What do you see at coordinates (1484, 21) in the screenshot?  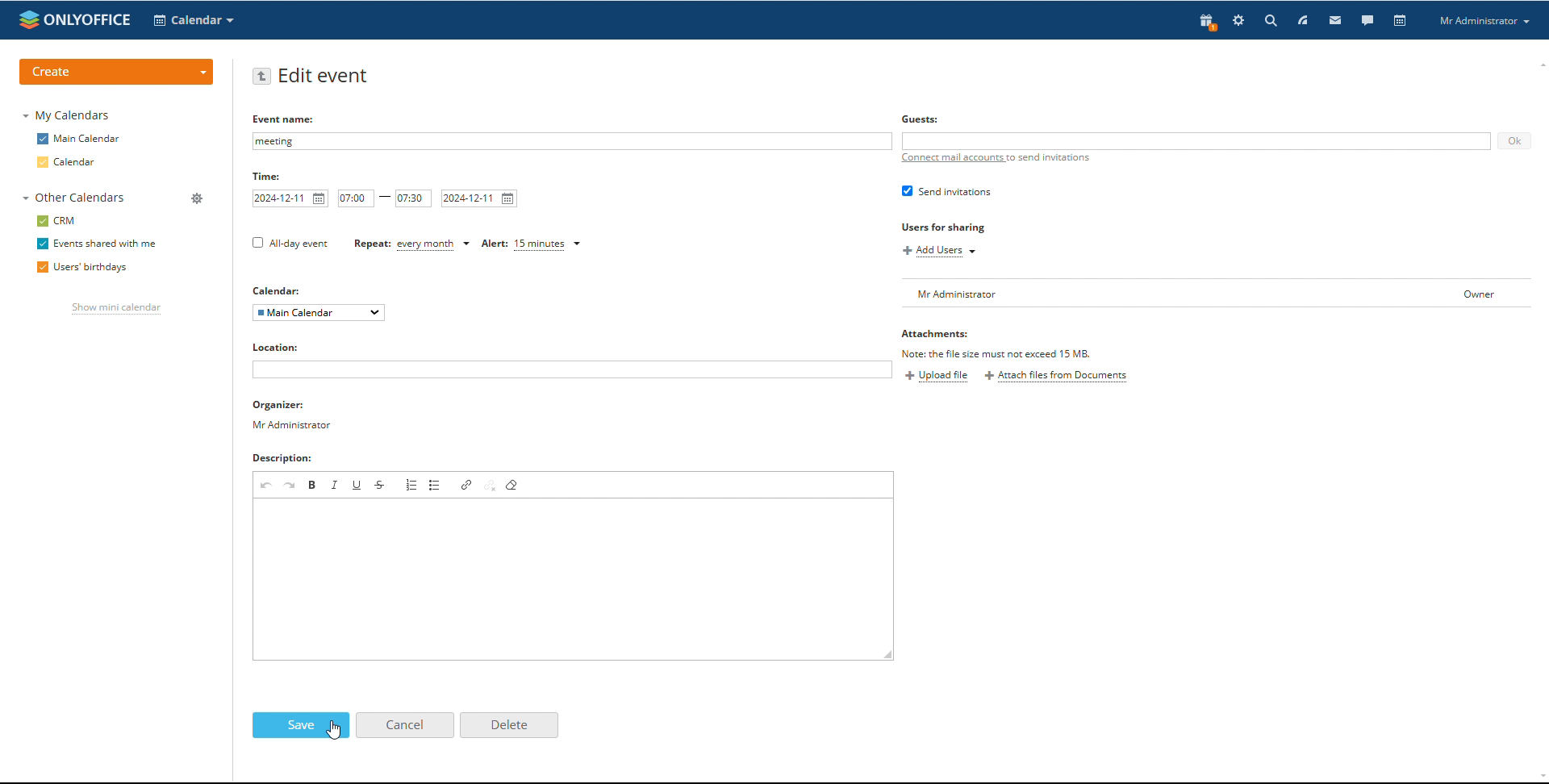 I see `profile` at bounding box center [1484, 21].